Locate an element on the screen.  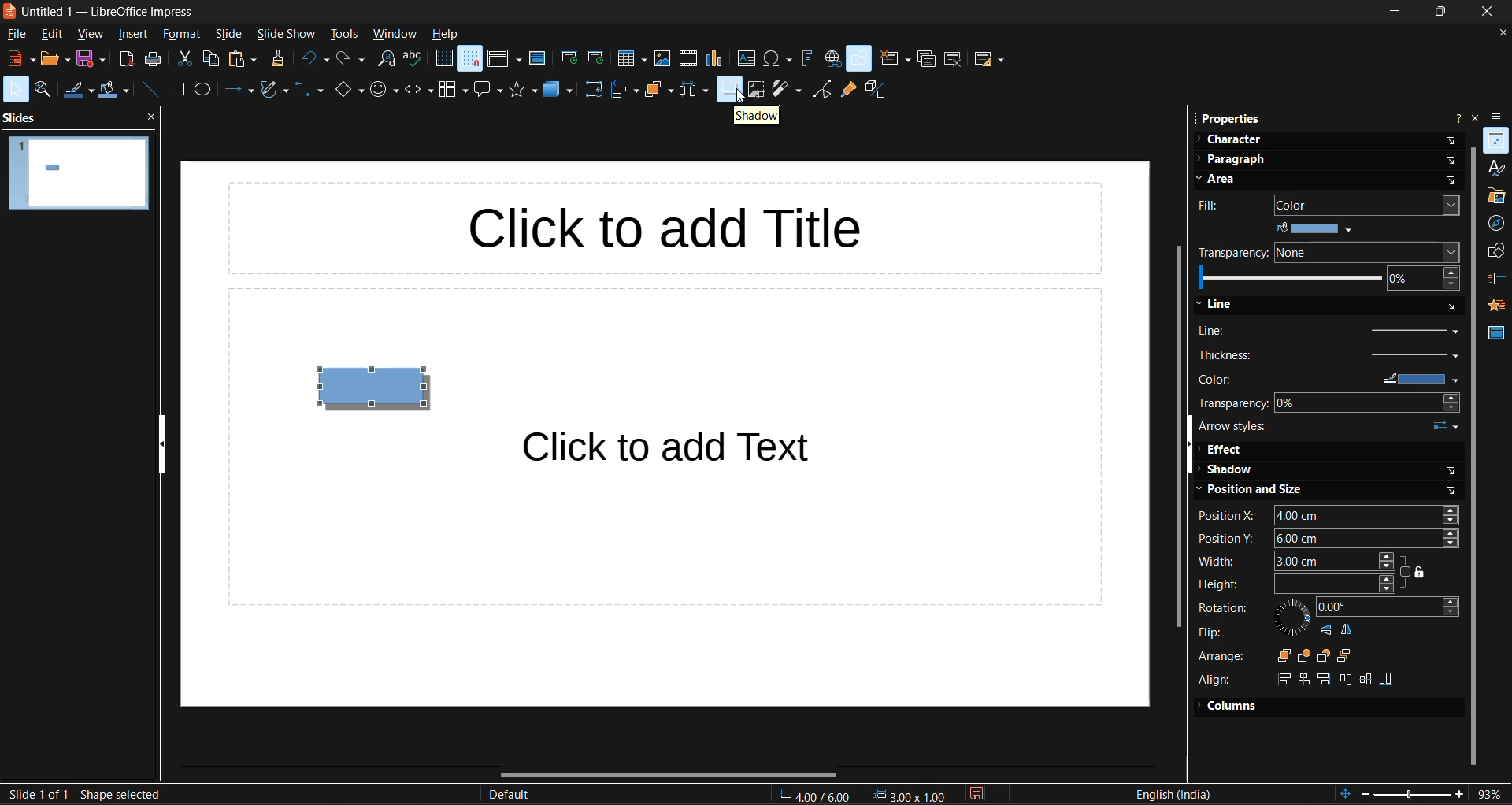
maximize is located at coordinates (1439, 13).